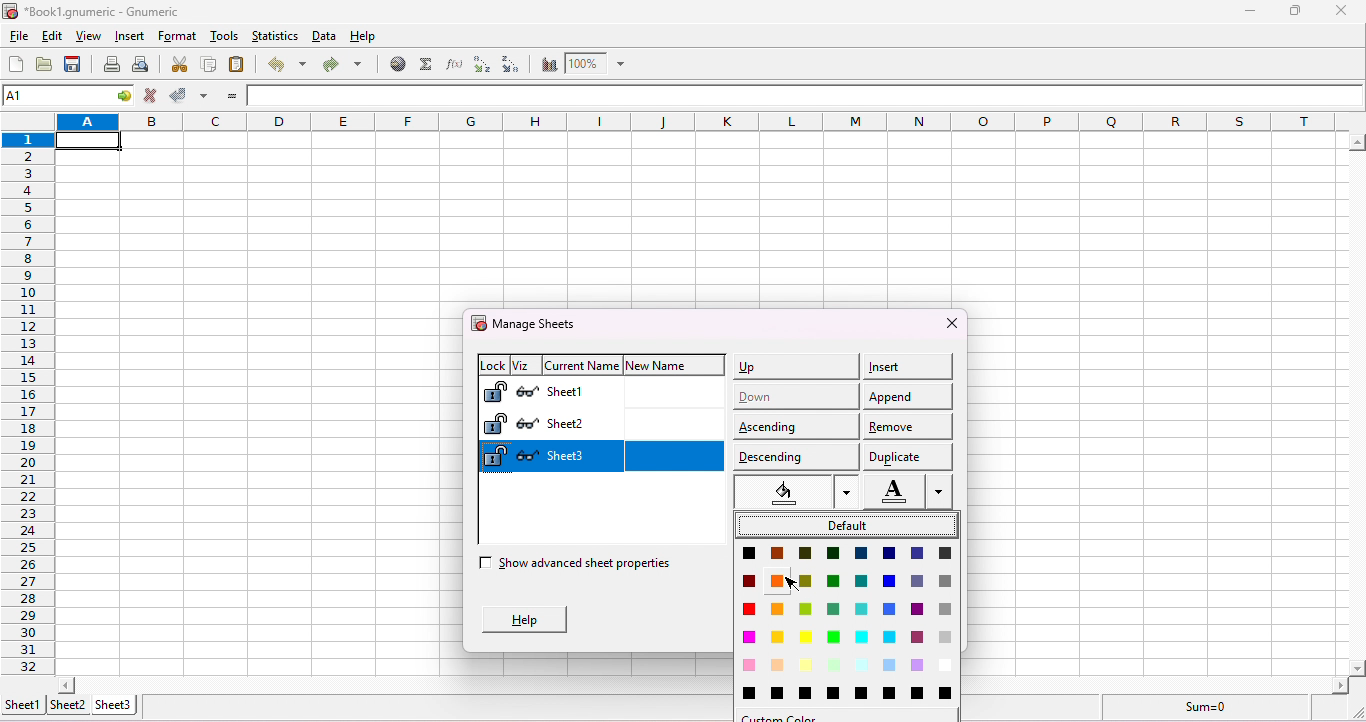 Image resolution: width=1366 pixels, height=722 pixels. Describe the element at coordinates (228, 95) in the screenshot. I see `enter formula` at that location.